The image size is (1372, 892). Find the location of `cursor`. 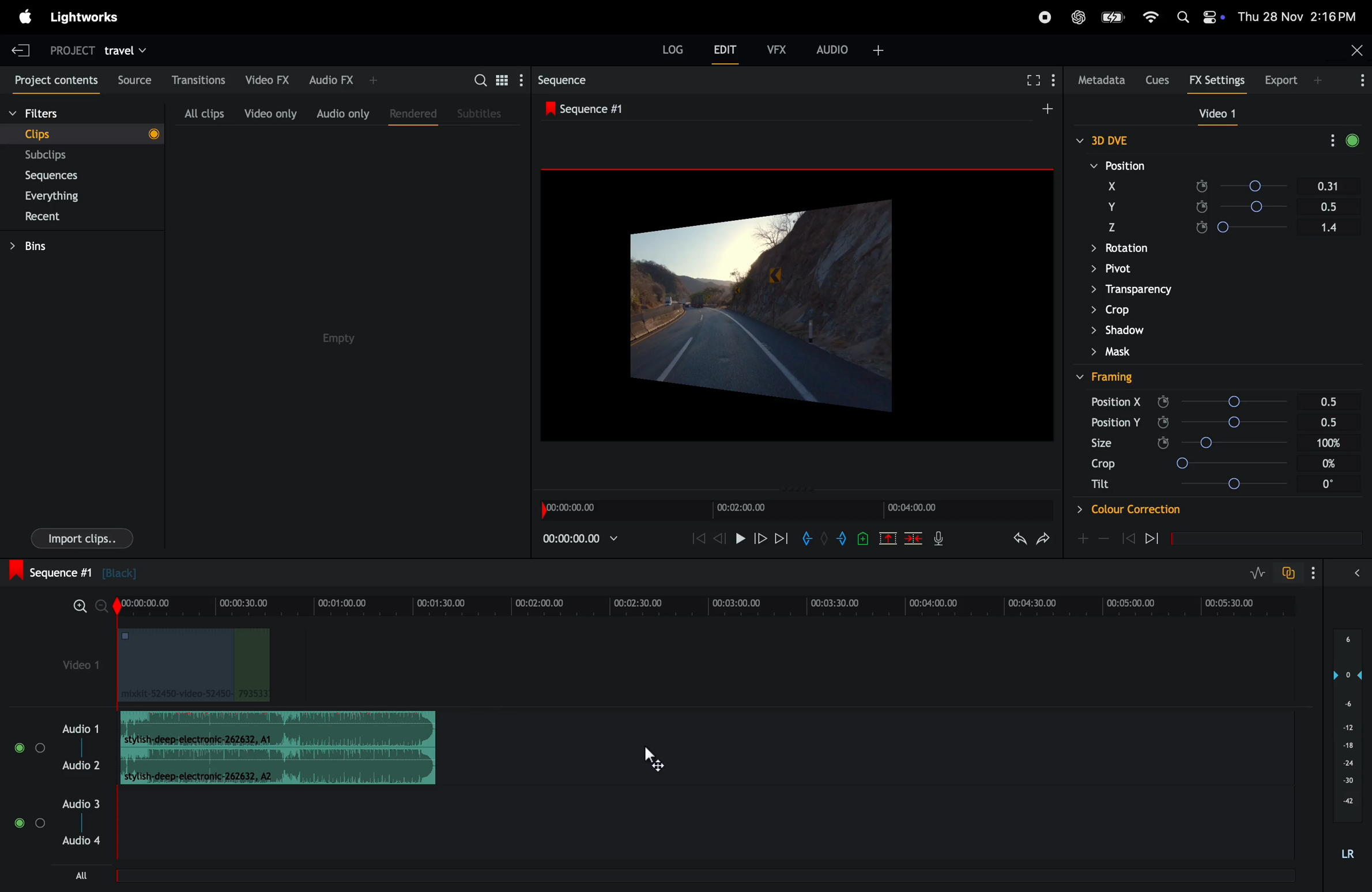

cursor is located at coordinates (654, 761).